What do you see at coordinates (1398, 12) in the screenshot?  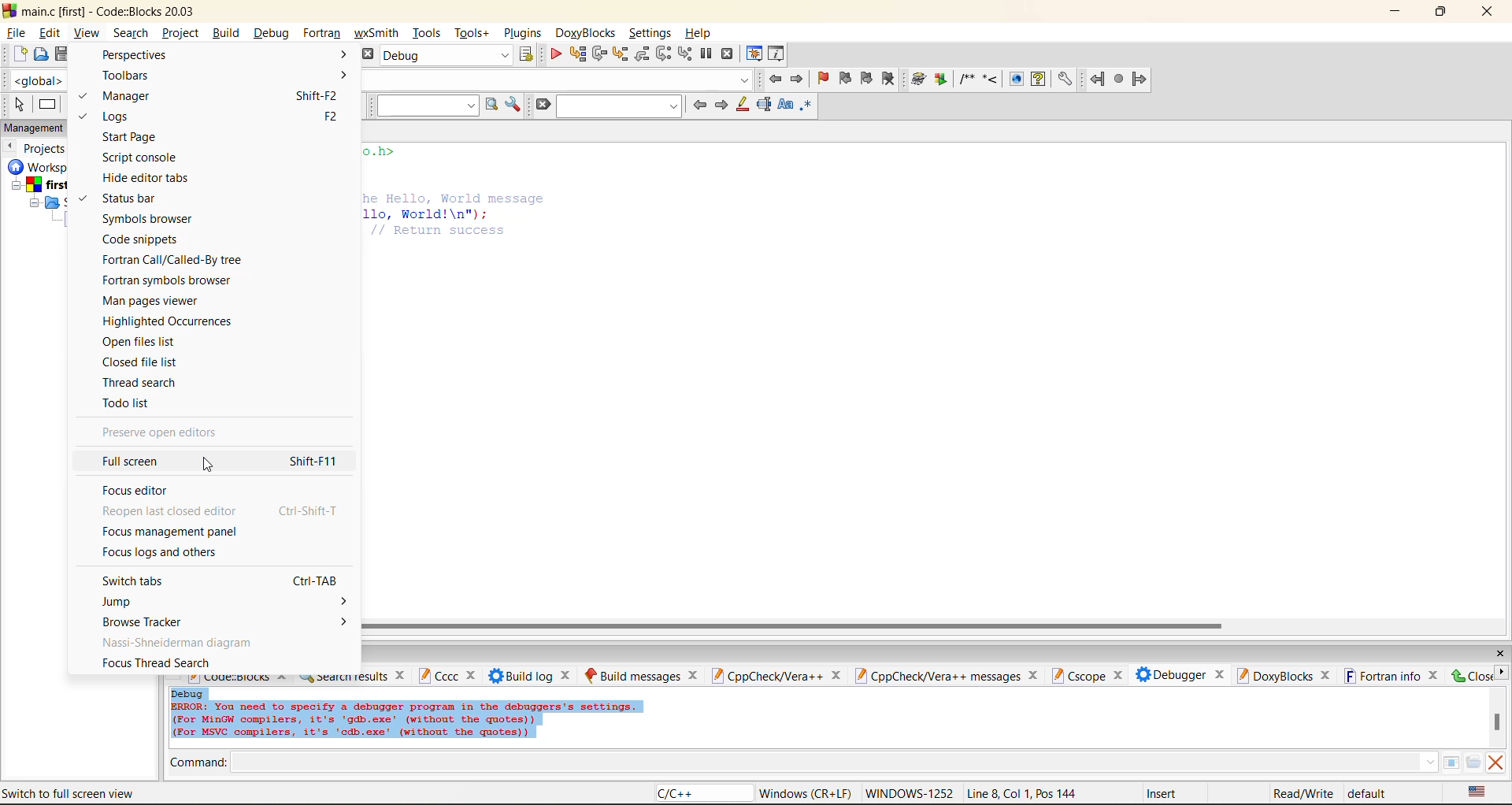 I see `minimize` at bounding box center [1398, 12].